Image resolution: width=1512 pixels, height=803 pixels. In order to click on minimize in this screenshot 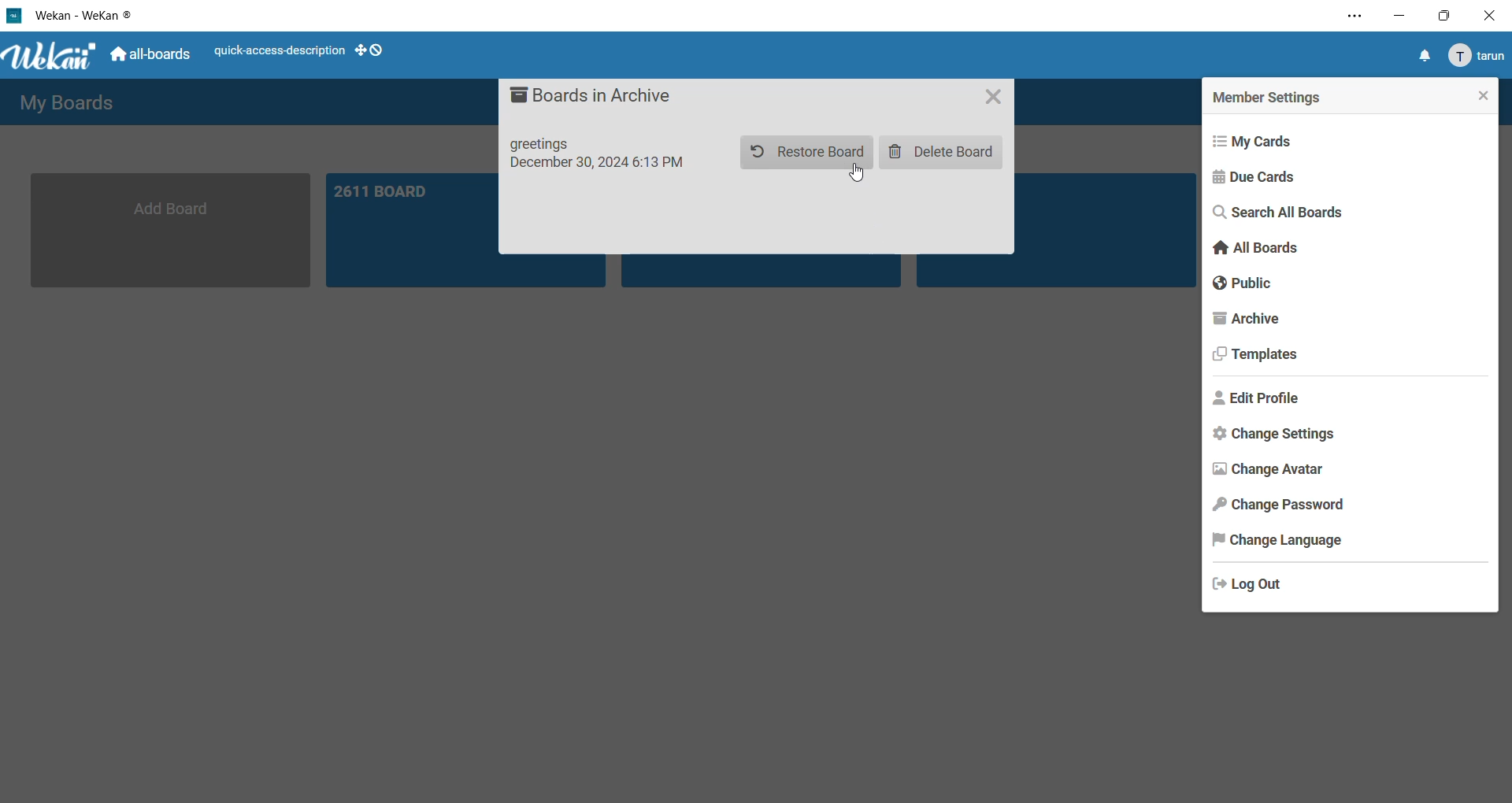, I will do `click(1401, 18)`.